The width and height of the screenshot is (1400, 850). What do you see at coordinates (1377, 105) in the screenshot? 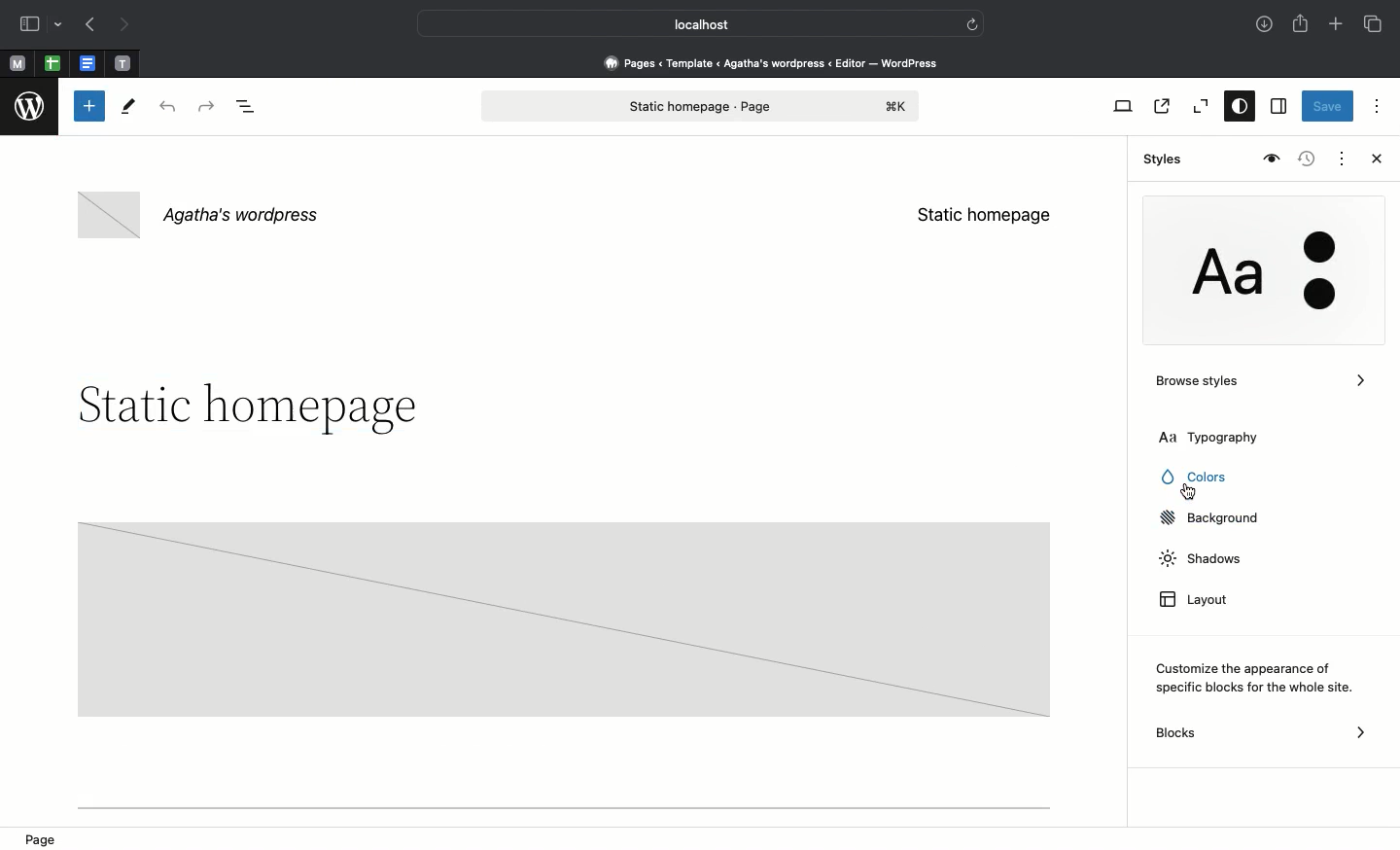
I see `Options` at bounding box center [1377, 105].